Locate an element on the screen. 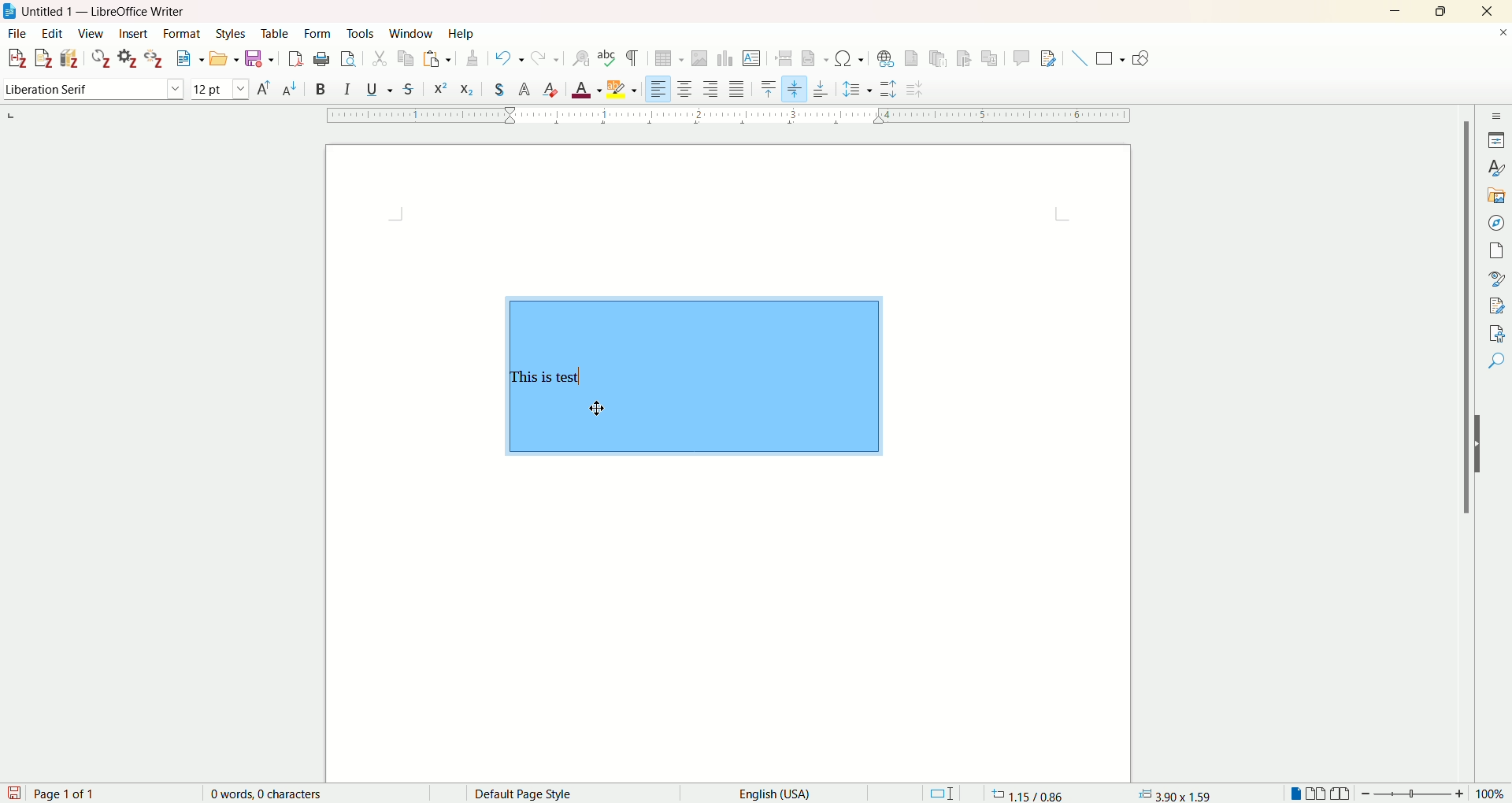 This screenshot has width=1512, height=803. English(USA) is located at coordinates (781, 793).